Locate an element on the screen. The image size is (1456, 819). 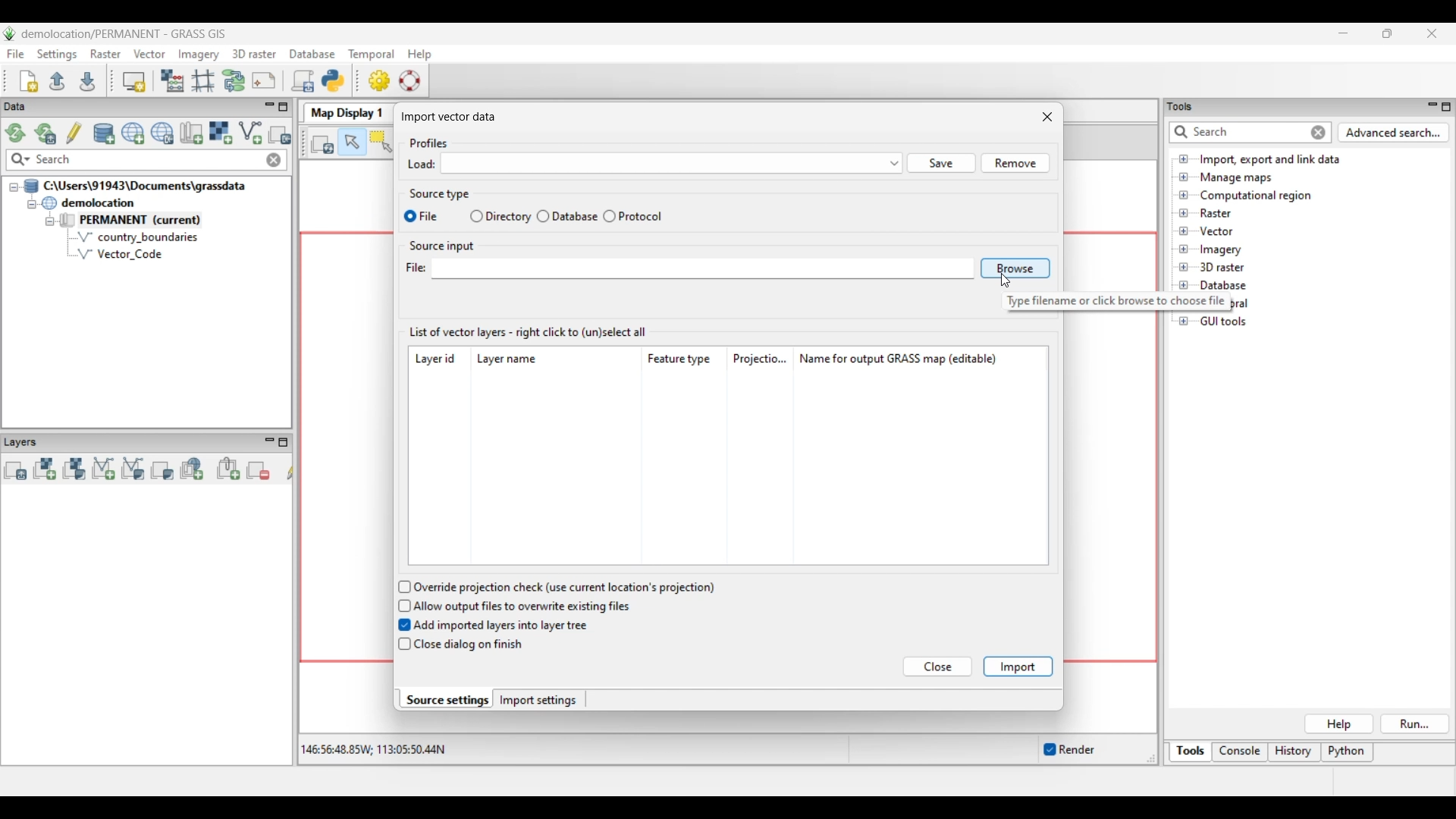
Pointer, current highlighted selection is located at coordinates (350, 143).